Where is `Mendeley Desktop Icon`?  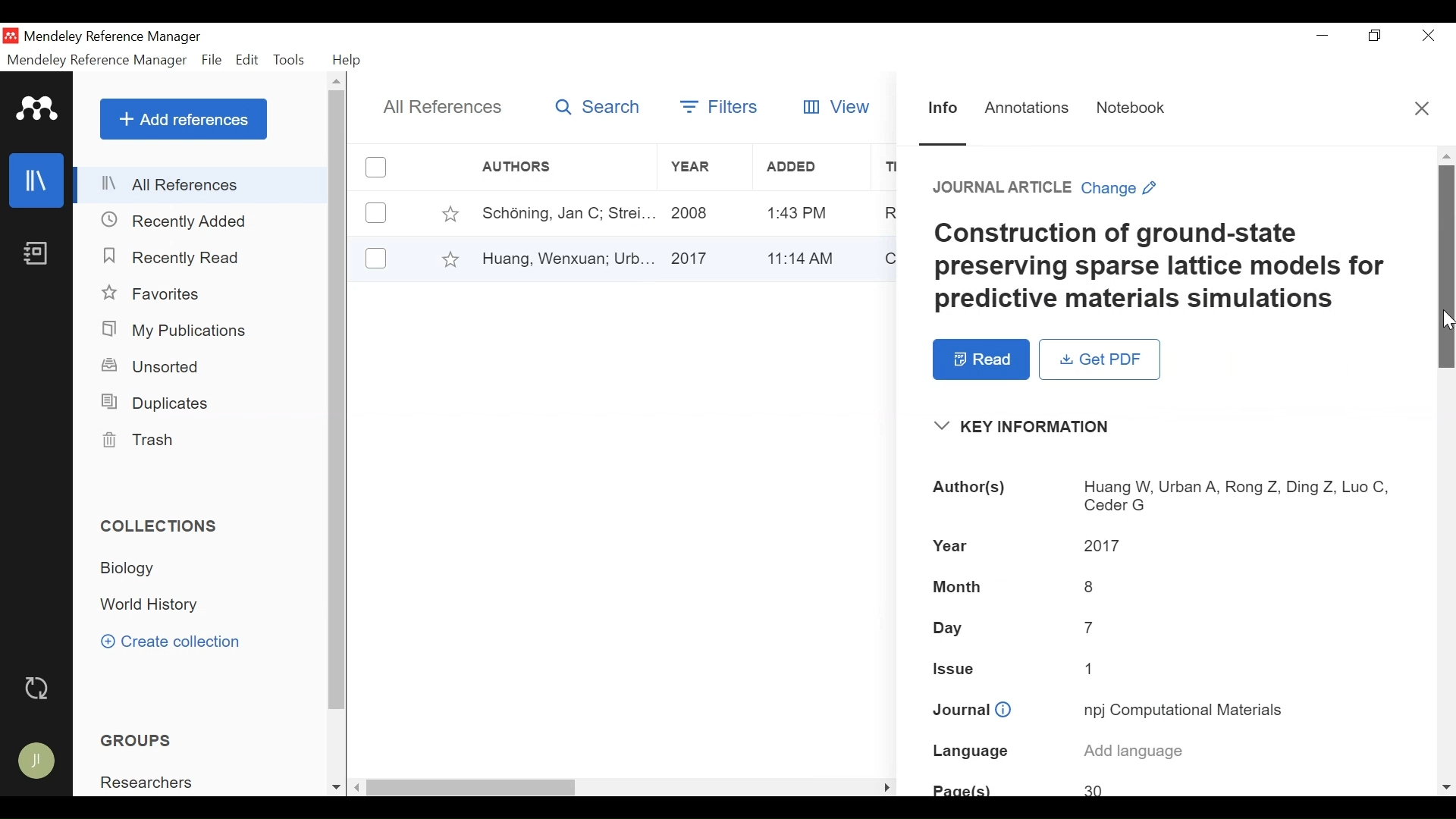 Mendeley Desktop Icon is located at coordinates (10, 36).